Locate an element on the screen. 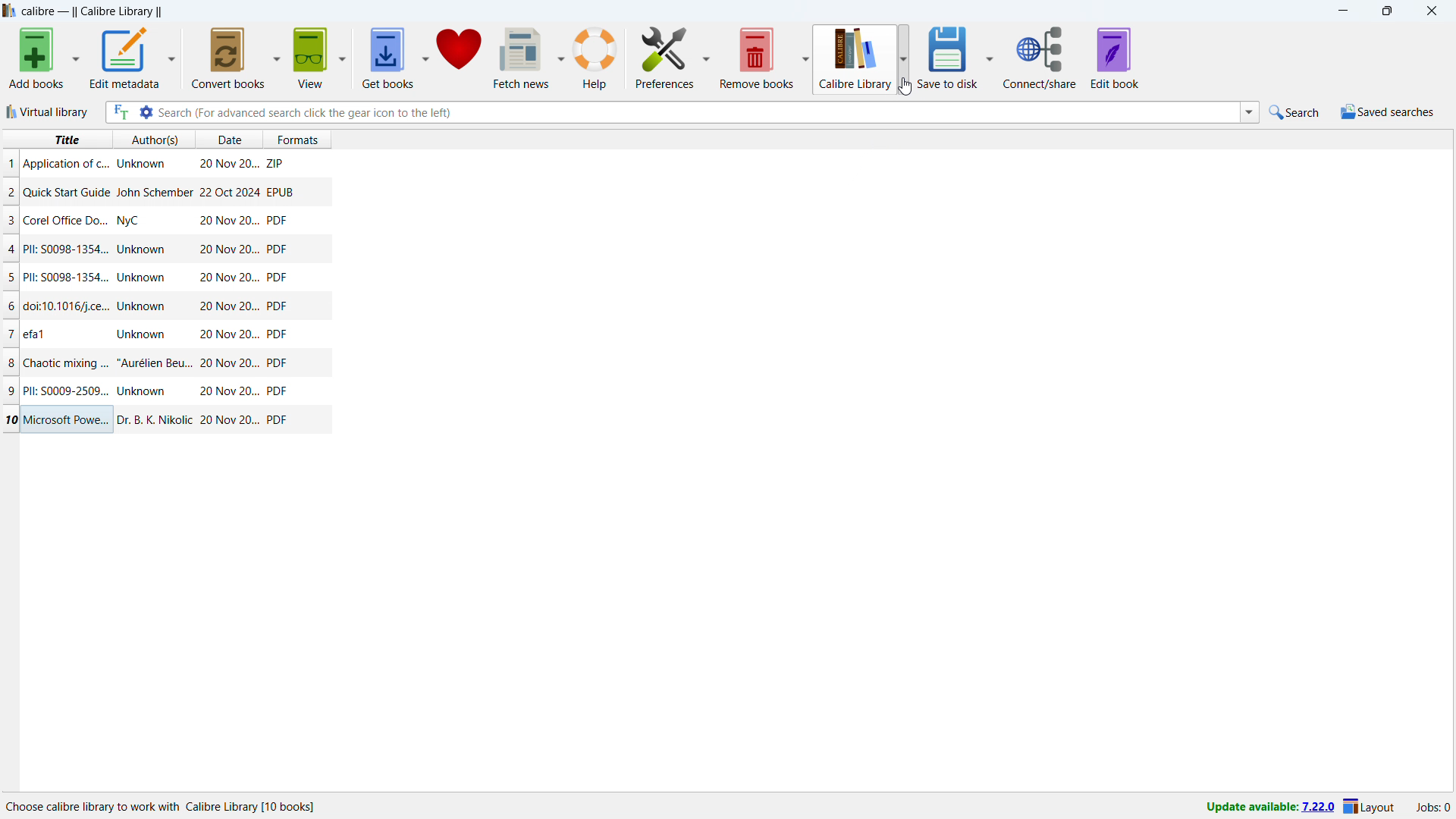 The height and width of the screenshot is (819, 1456). saved searches menu is located at coordinates (1387, 112).